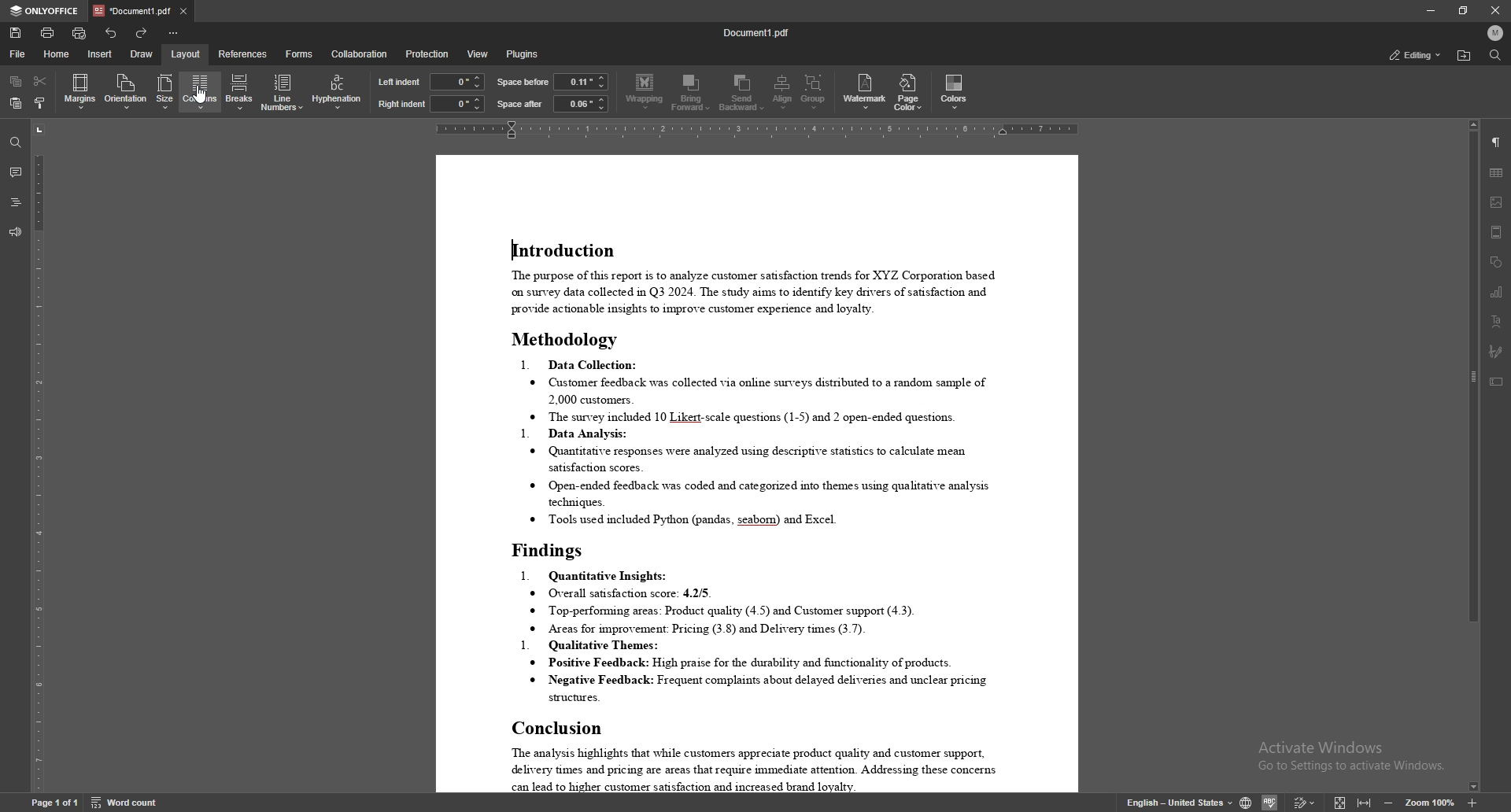  Describe the element at coordinates (866, 91) in the screenshot. I see `watermark` at that location.